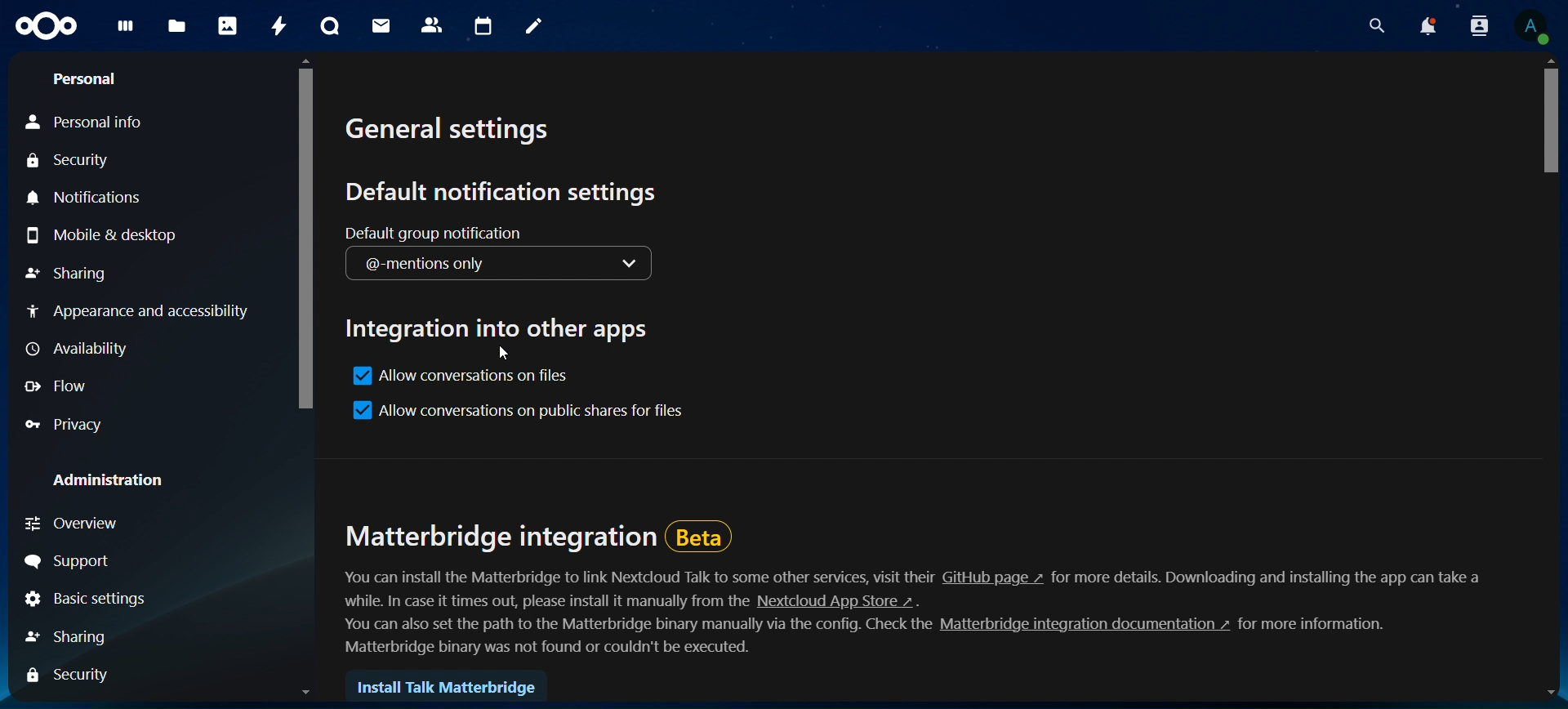 The width and height of the screenshot is (1568, 709). Describe the element at coordinates (74, 560) in the screenshot. I see `support` at that location.